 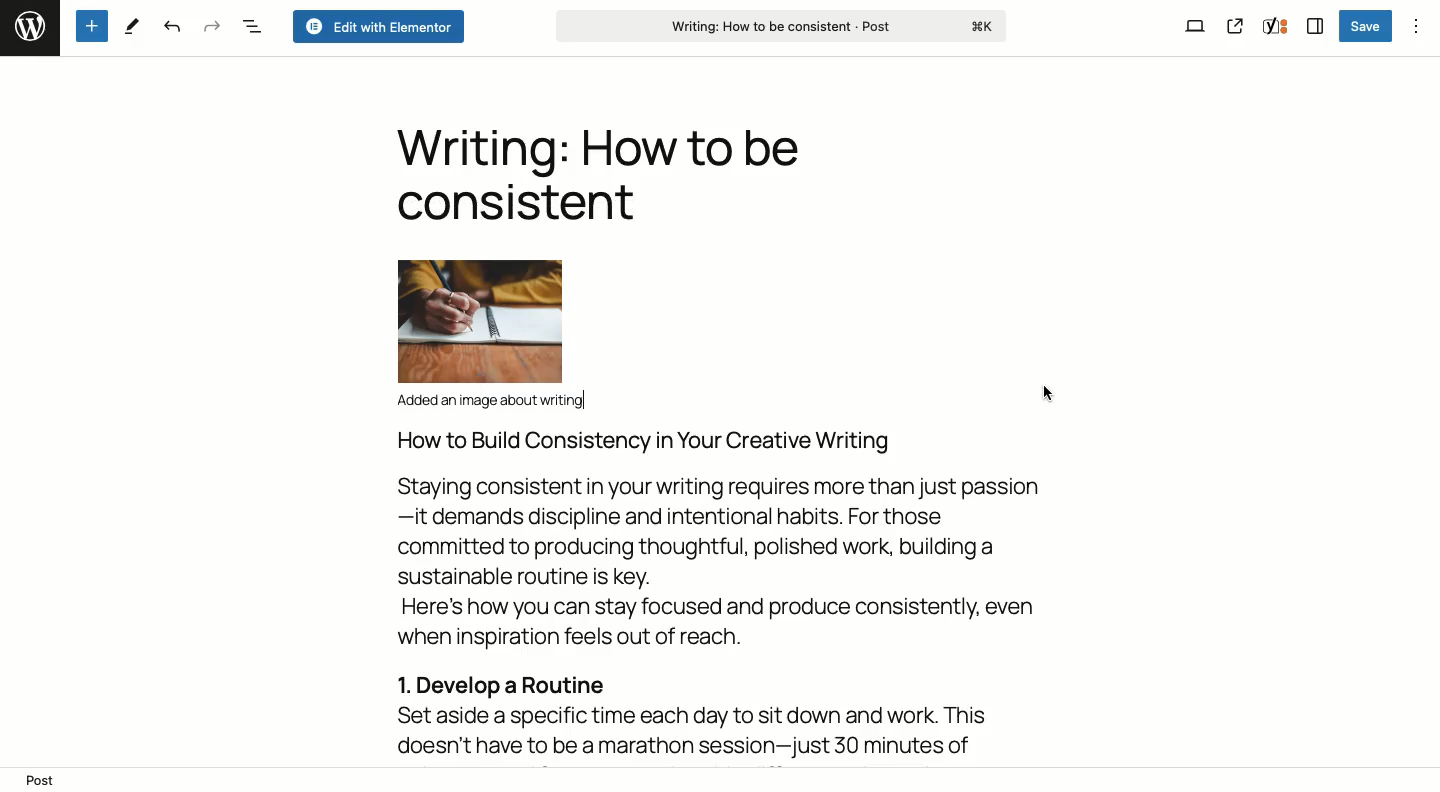 What do you see at coordinates (479, 319) in the screenshot?
I see `Image` at bounding box center [479, 319].